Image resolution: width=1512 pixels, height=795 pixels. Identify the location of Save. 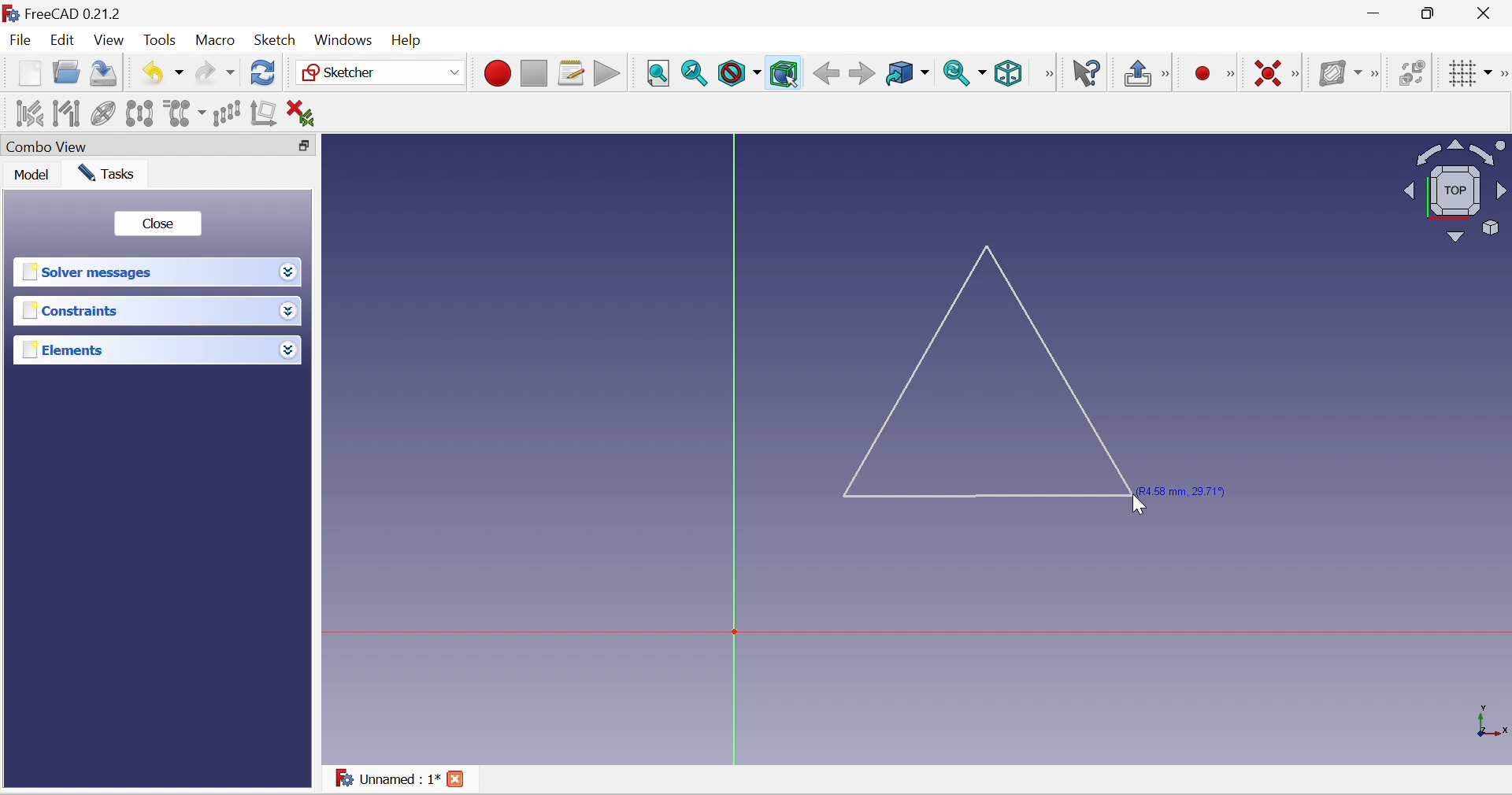
(106, 74).